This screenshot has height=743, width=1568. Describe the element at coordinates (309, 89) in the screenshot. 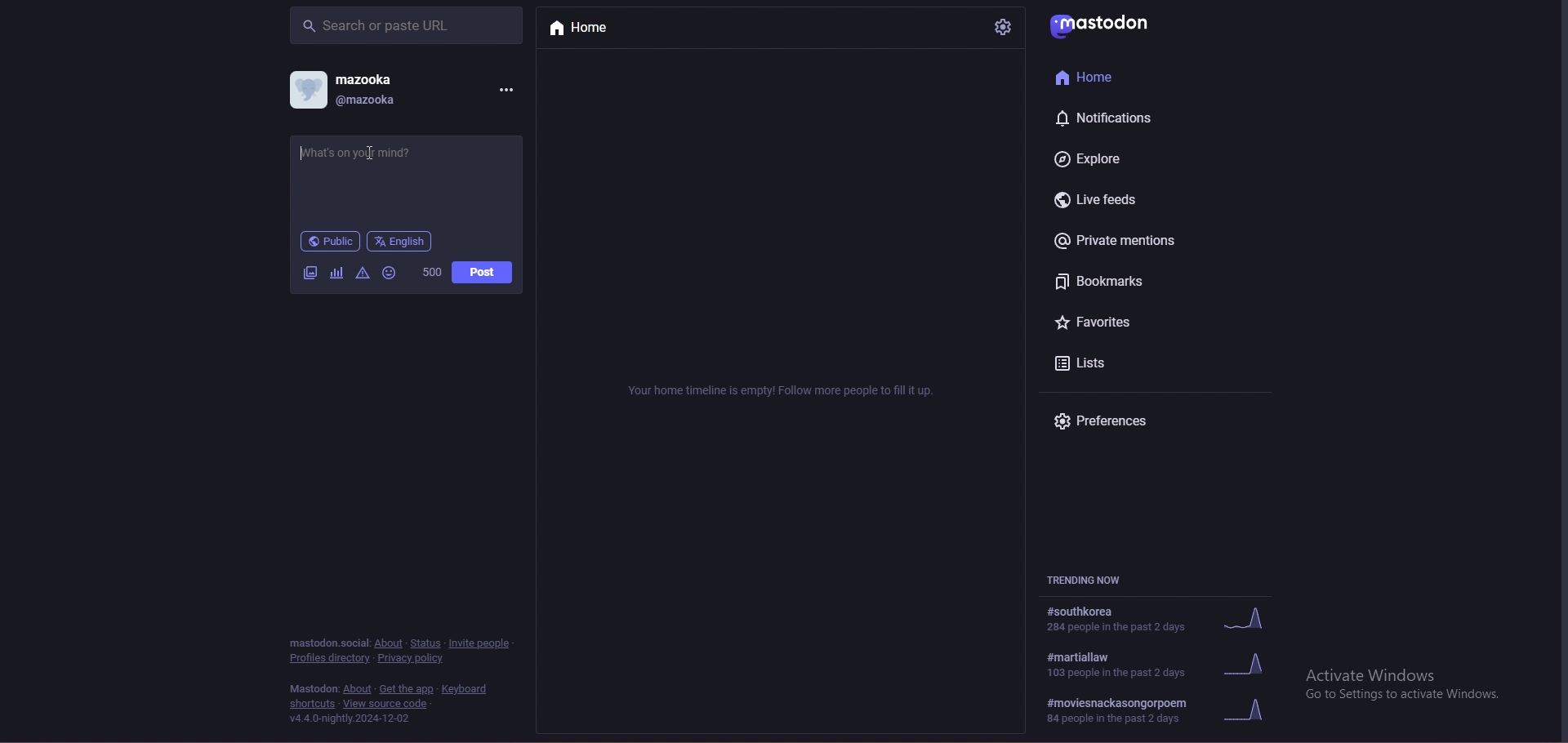

I see `profile` at that location.